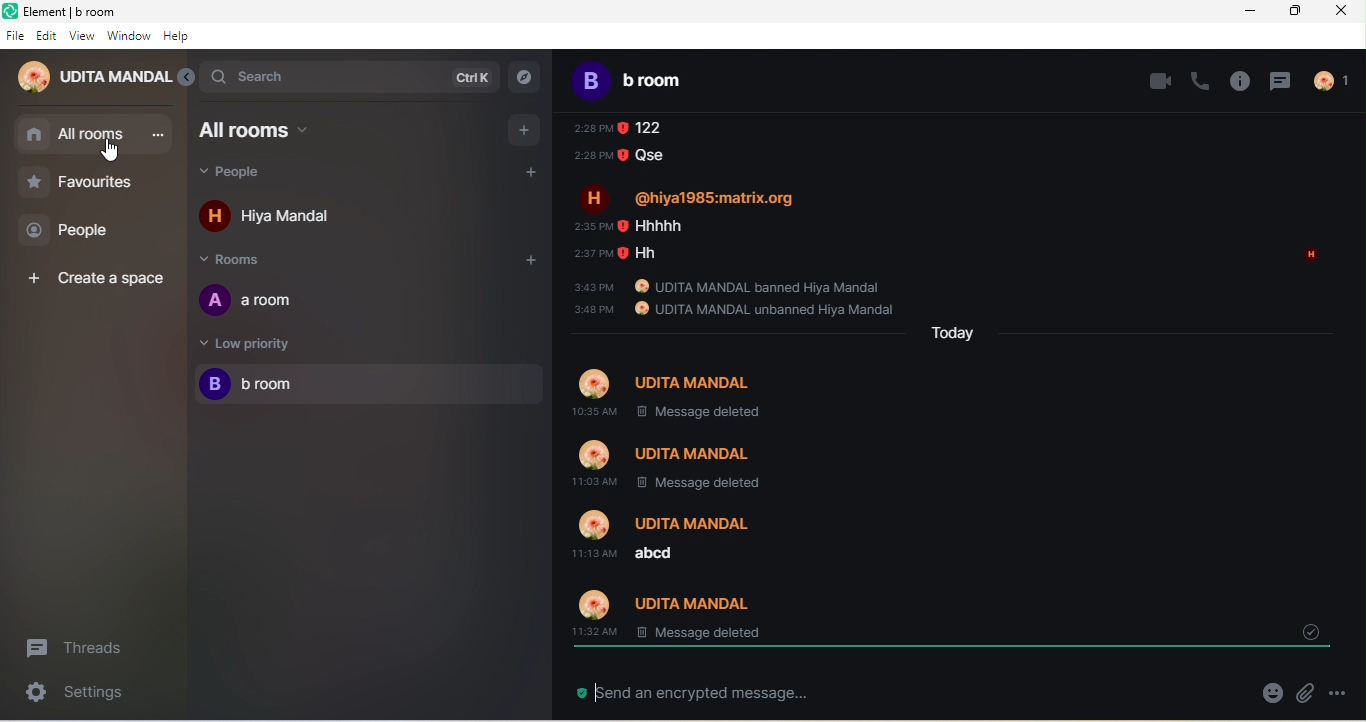 This screenshot has height=722, width=1366. Describe the element at coordinates (523, 170) in the screenshot. I see `add people` at that location.